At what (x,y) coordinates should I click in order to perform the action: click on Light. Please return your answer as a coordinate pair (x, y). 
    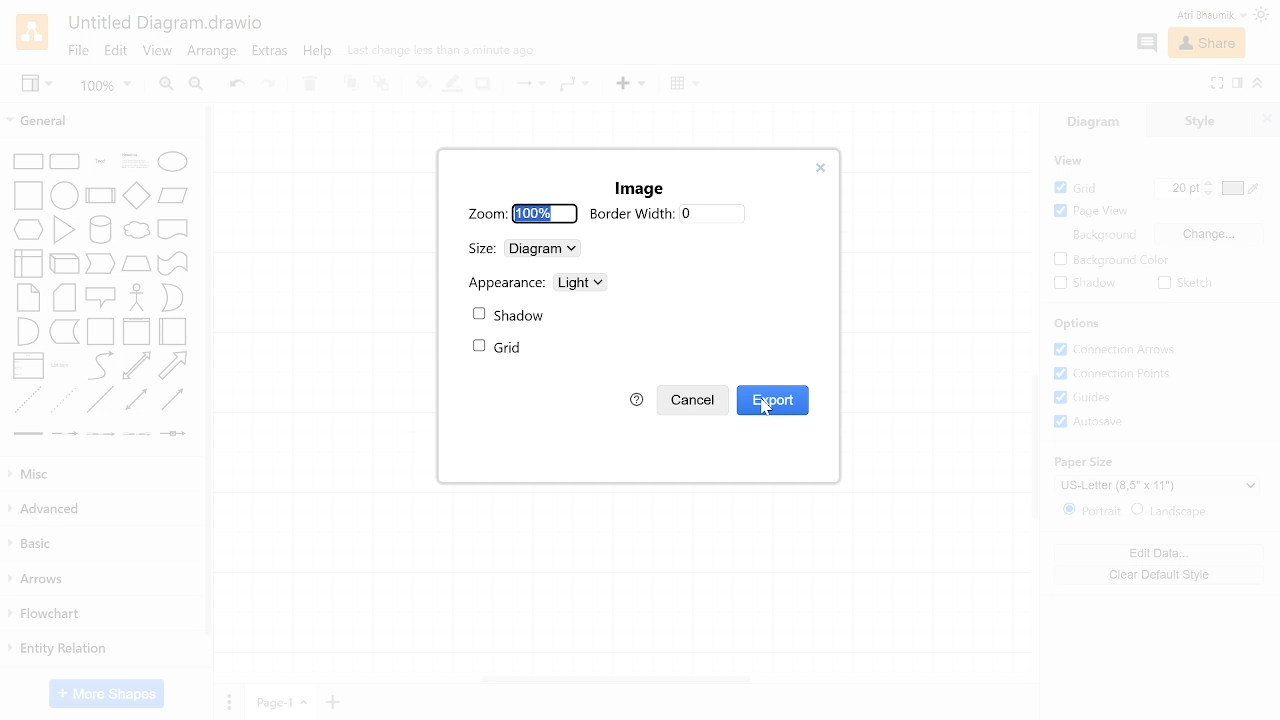
    Looking at the image, I should click on (579, 283).